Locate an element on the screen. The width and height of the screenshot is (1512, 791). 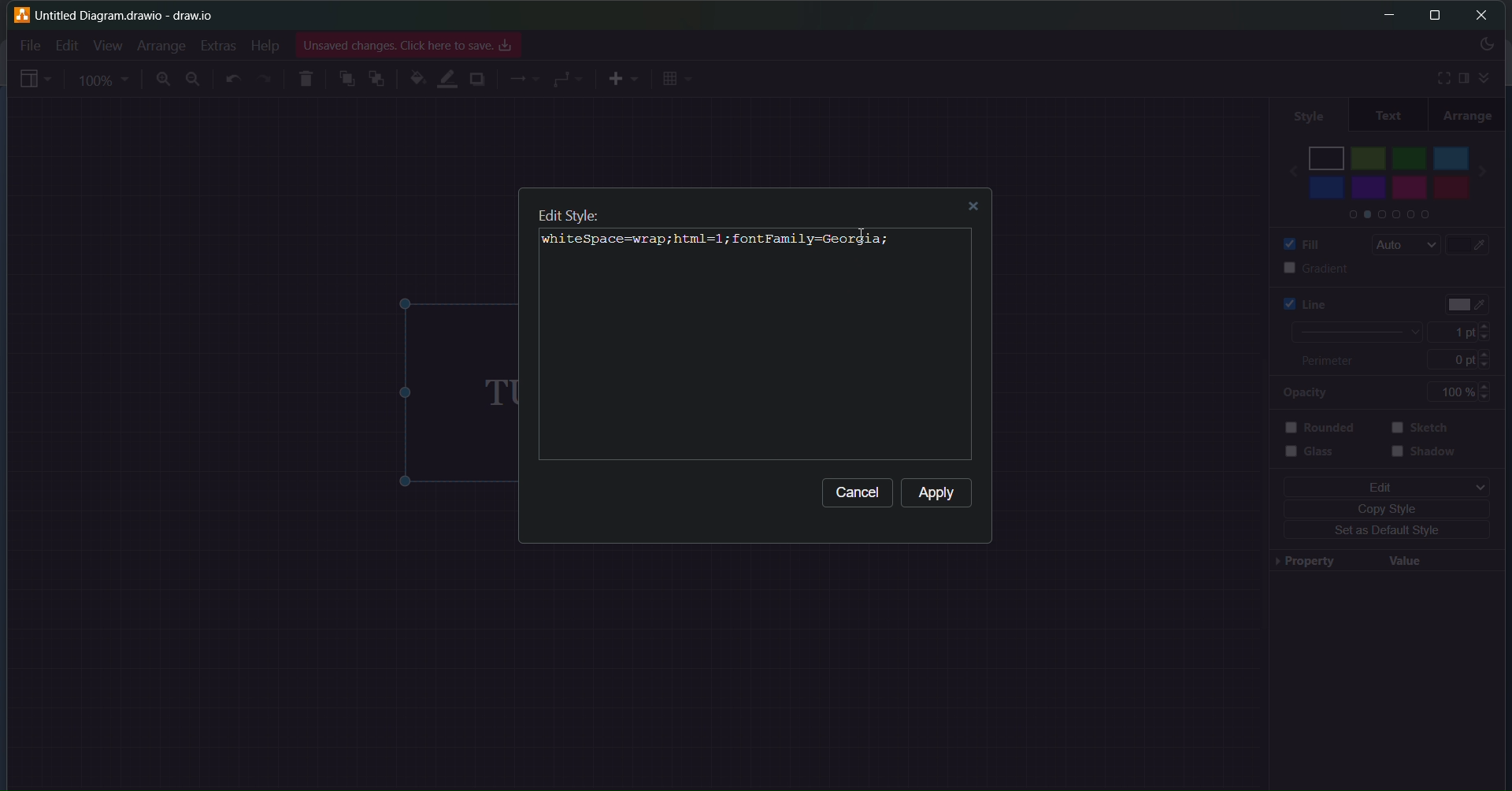
lines is located at coordinates (524, 81).